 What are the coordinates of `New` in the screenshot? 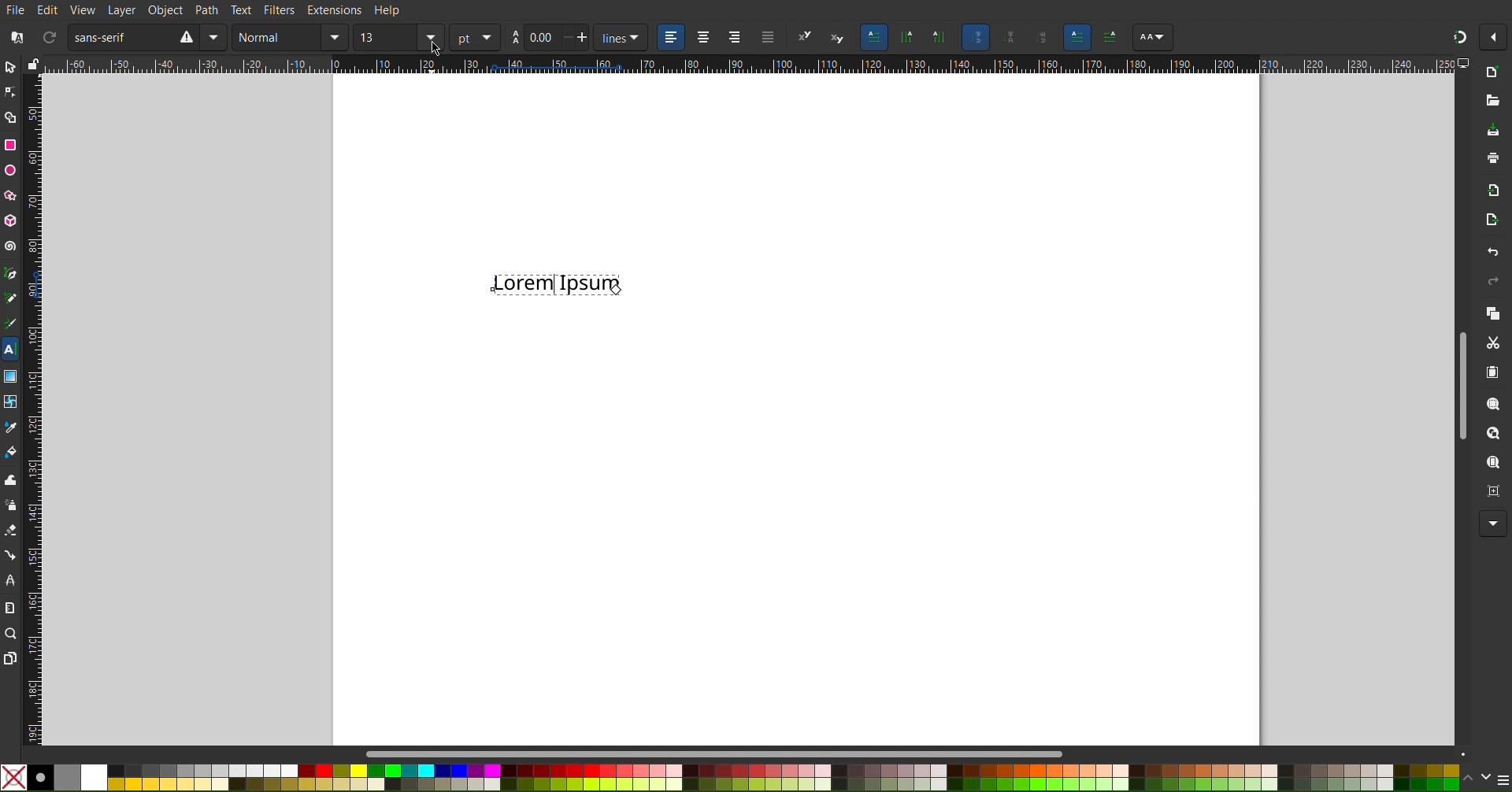 It's located at (1497, 71).